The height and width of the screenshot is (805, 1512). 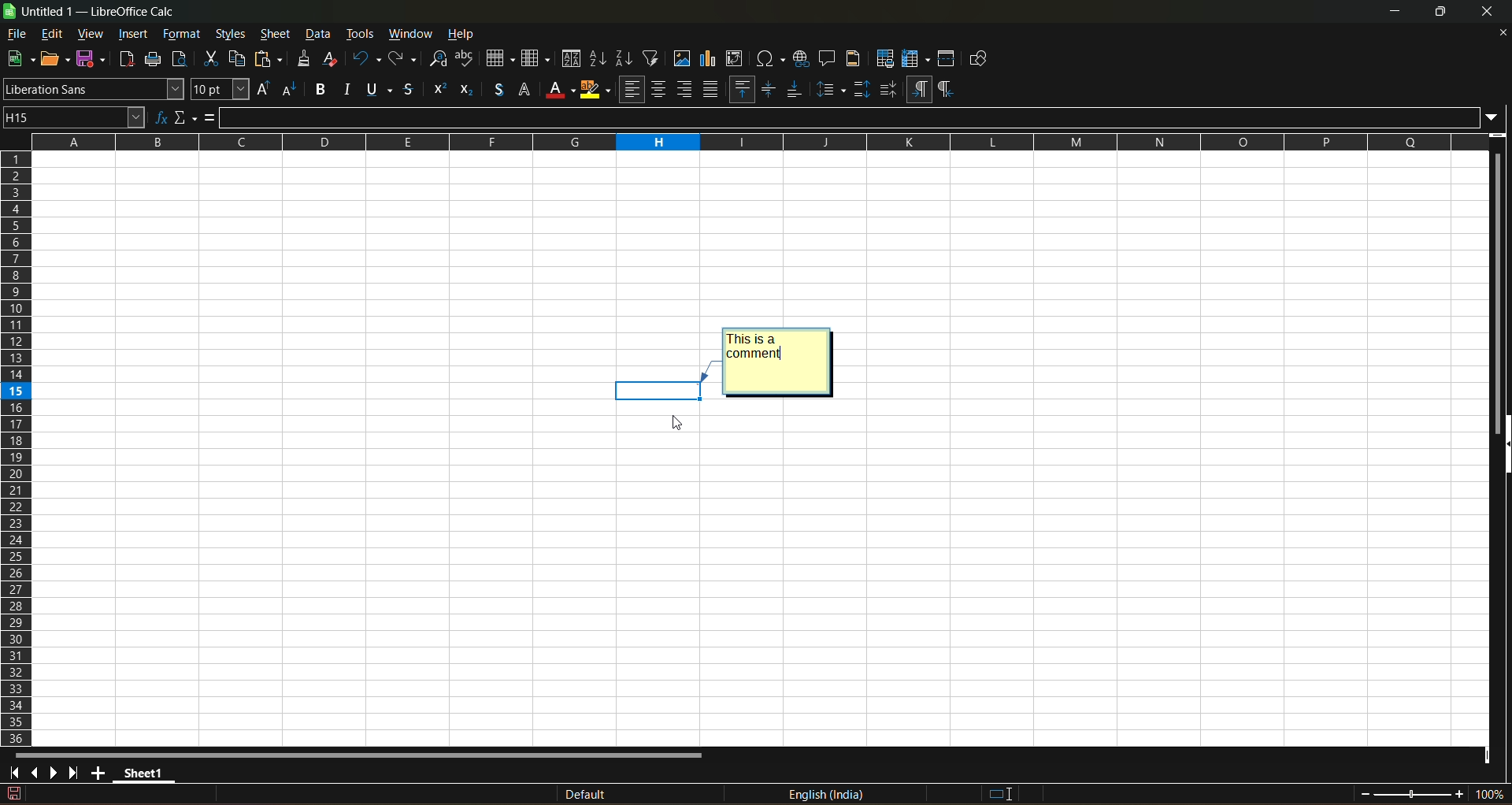 I want to click on find and replace, so click(x=439, y=59).